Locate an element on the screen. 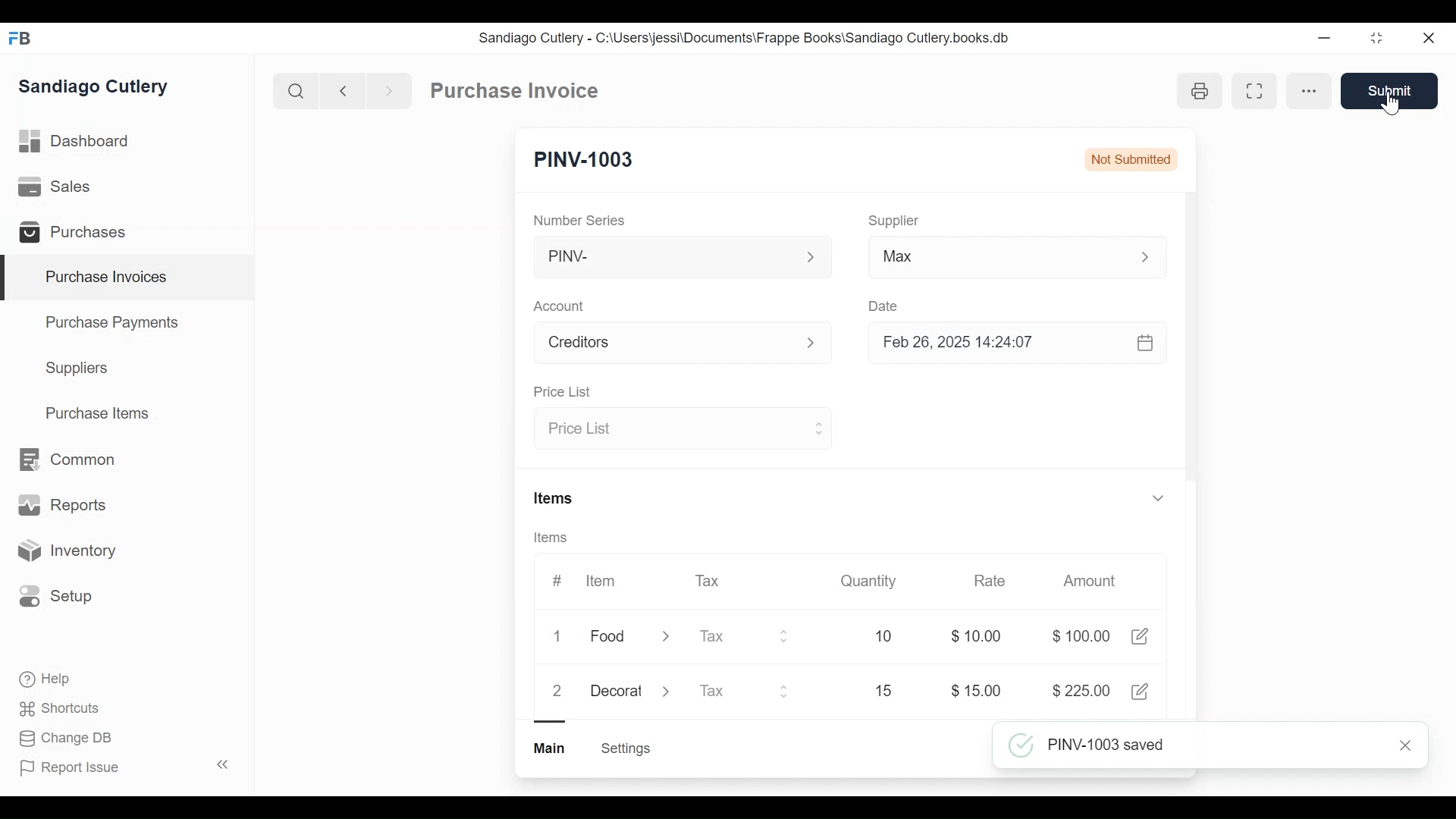 This screenshot has height=819, width=1456. $225.00 is located at coordinates (1084, 692).